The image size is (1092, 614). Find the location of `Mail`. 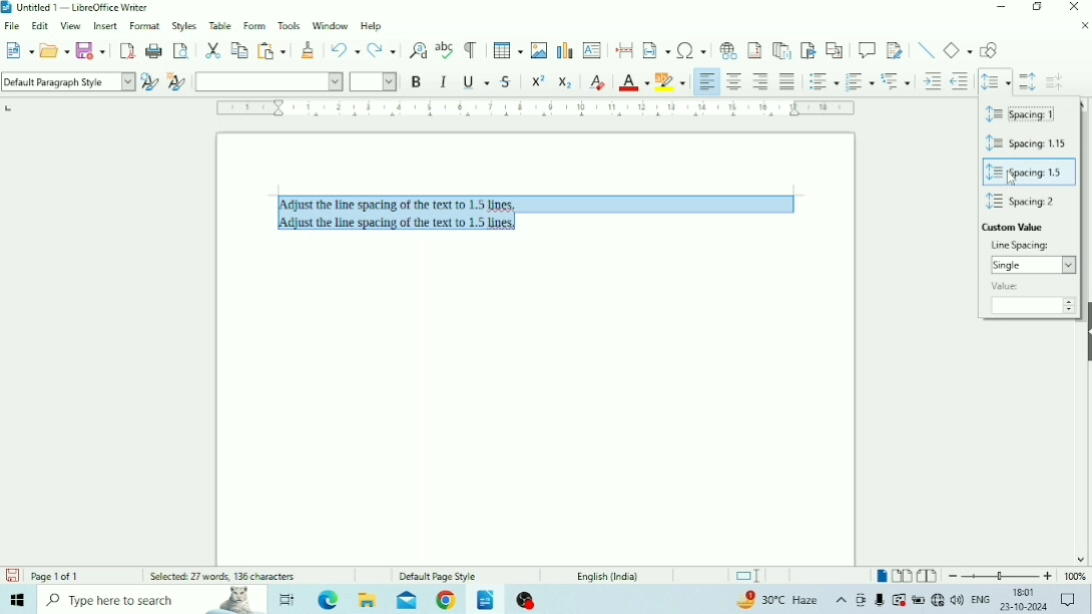

Mail is located at coordinates (408, 600).